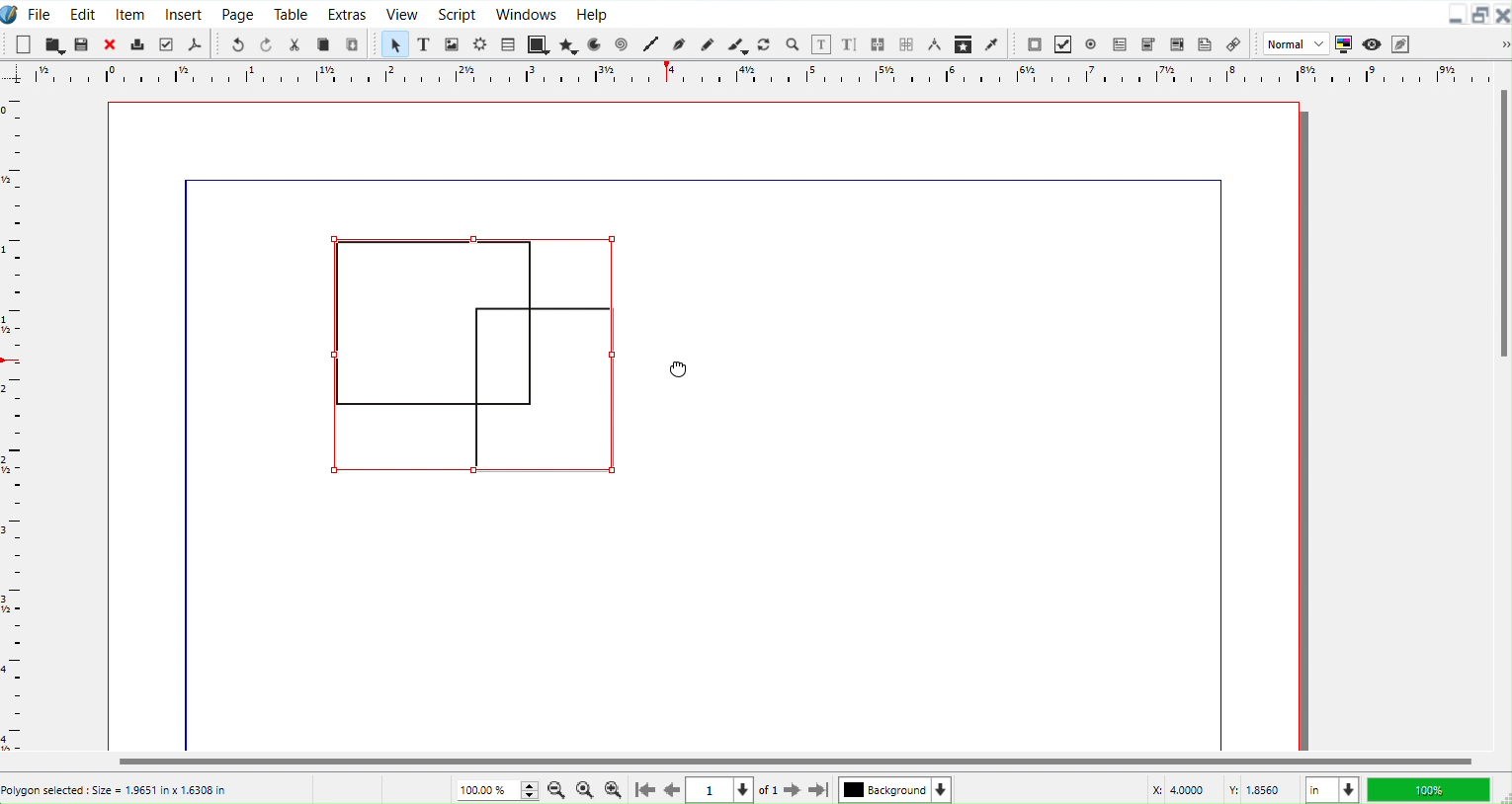  I want to click on Toggle color, so click(1342, 44).